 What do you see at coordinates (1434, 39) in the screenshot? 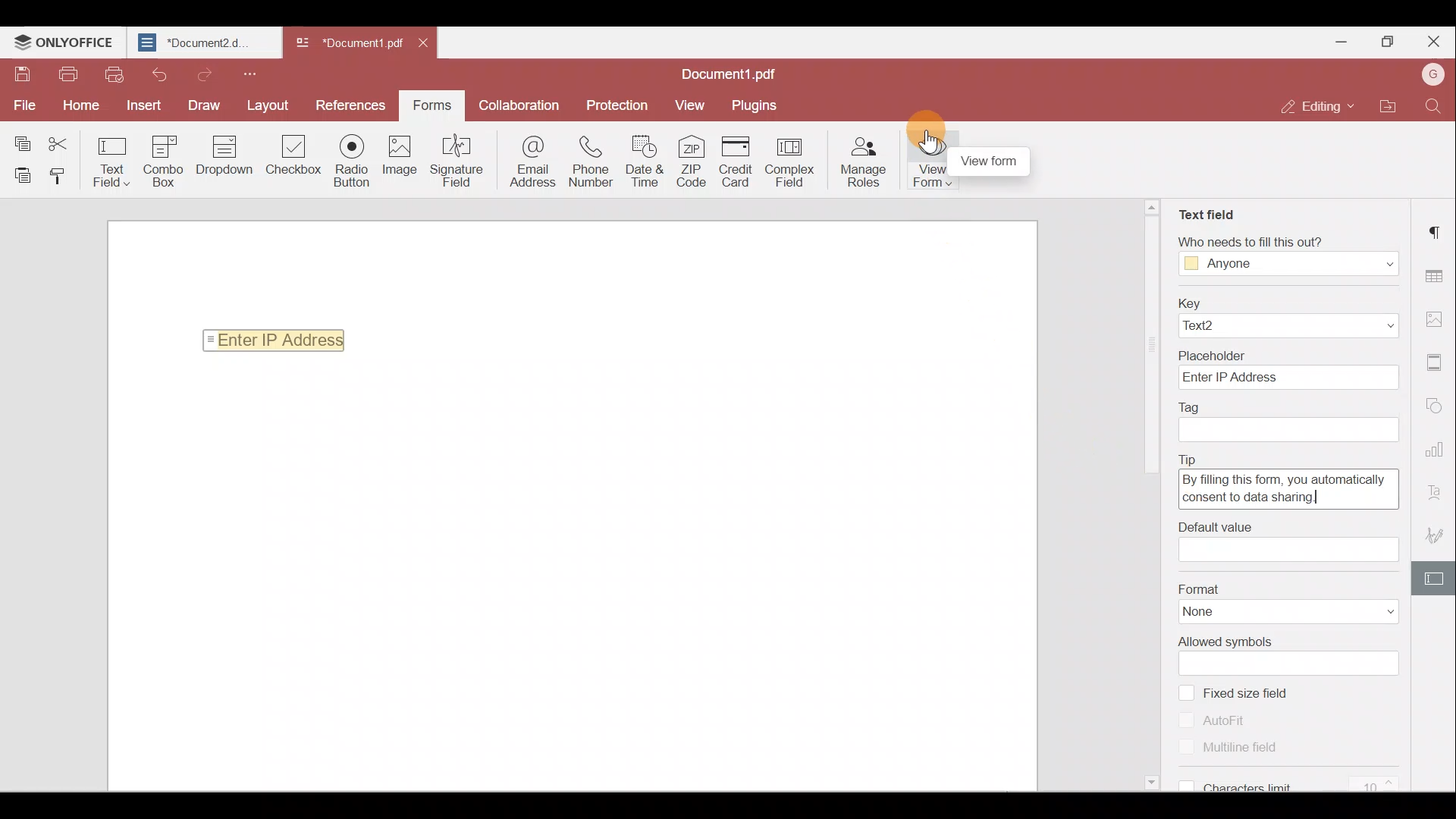
I see `Close` at bounding box center [1434, 39].